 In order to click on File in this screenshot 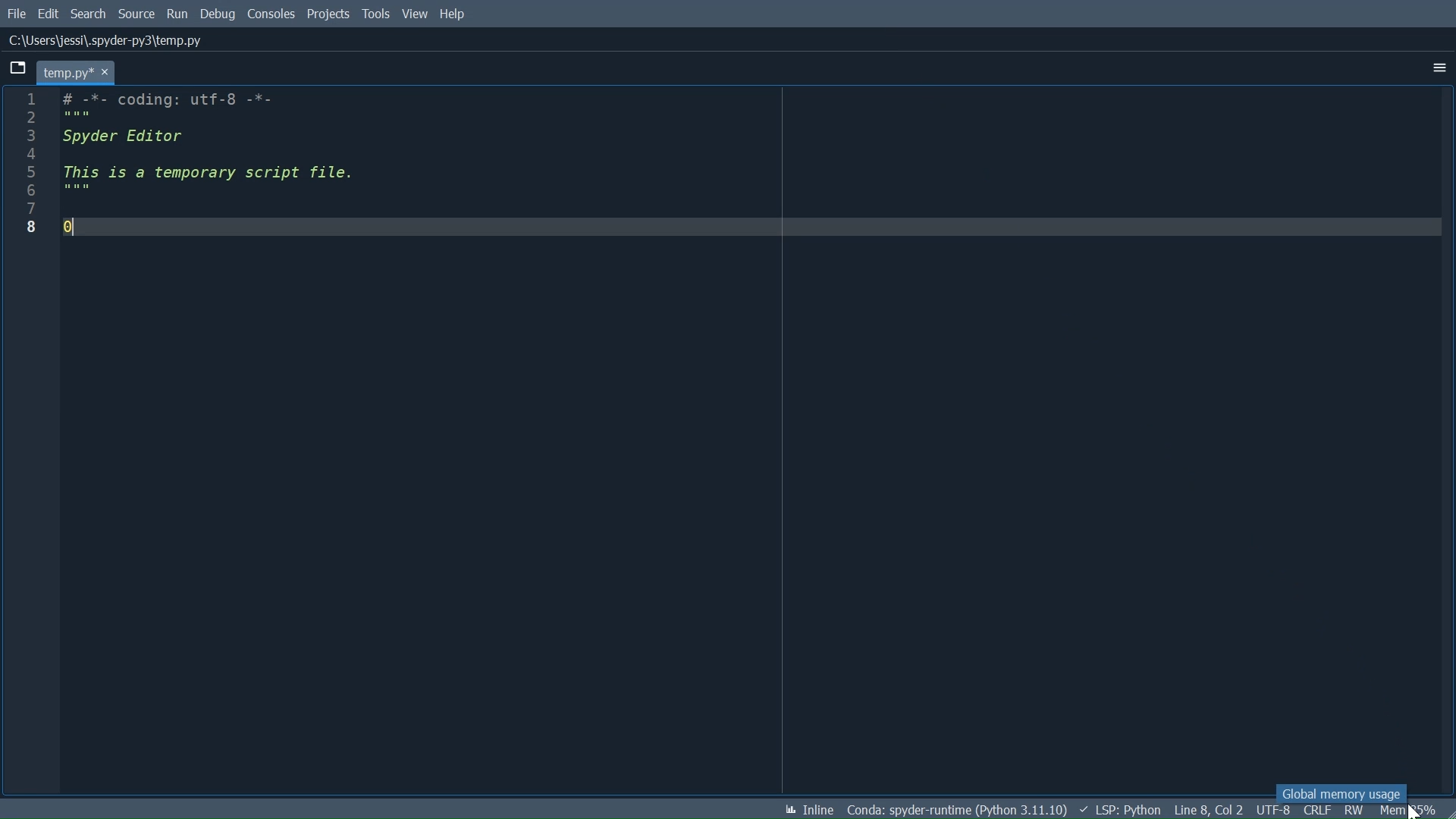, I will do `click(17, 15)`.